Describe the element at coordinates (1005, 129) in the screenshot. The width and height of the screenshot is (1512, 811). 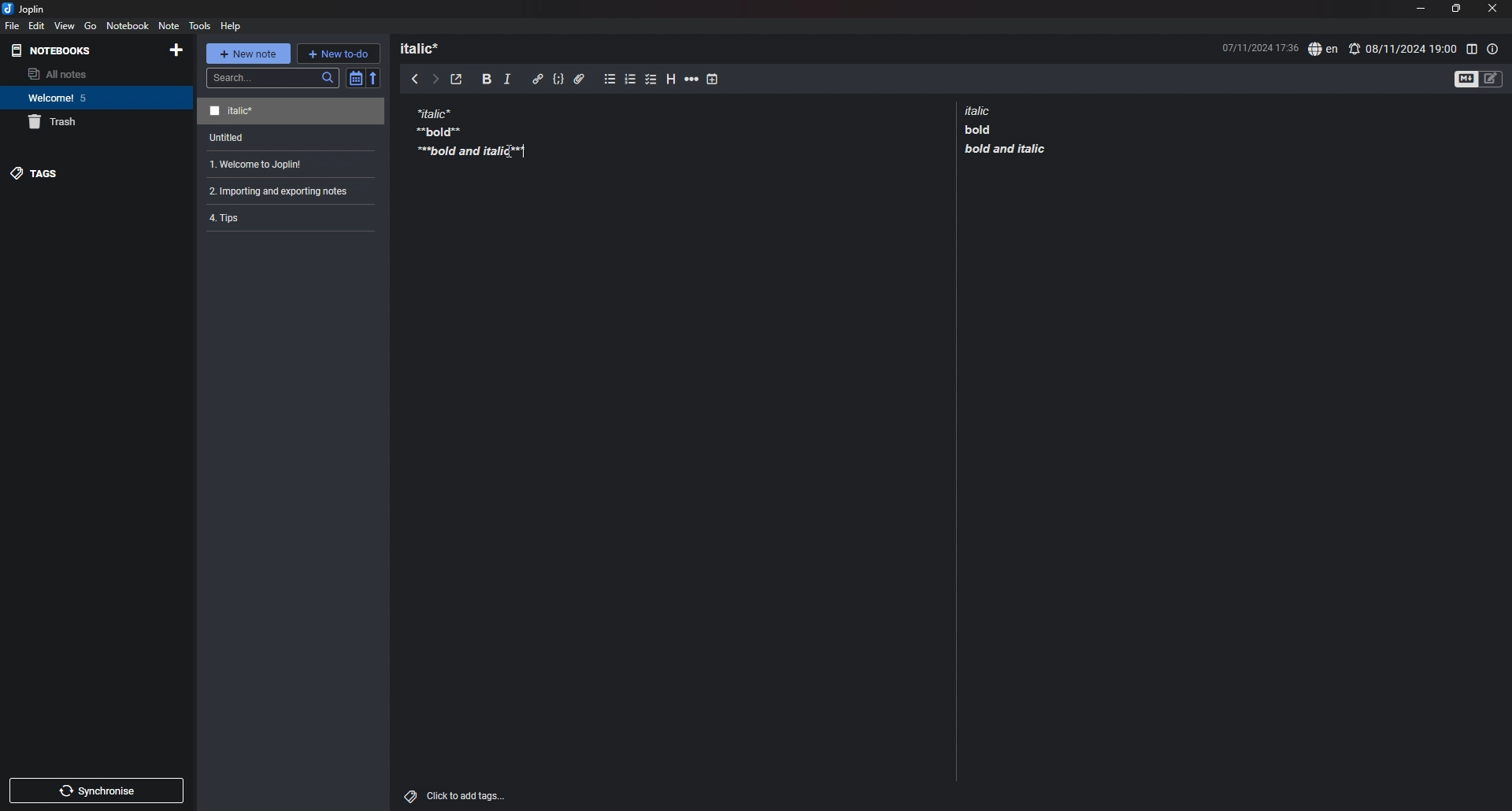
I see `note` at that location.